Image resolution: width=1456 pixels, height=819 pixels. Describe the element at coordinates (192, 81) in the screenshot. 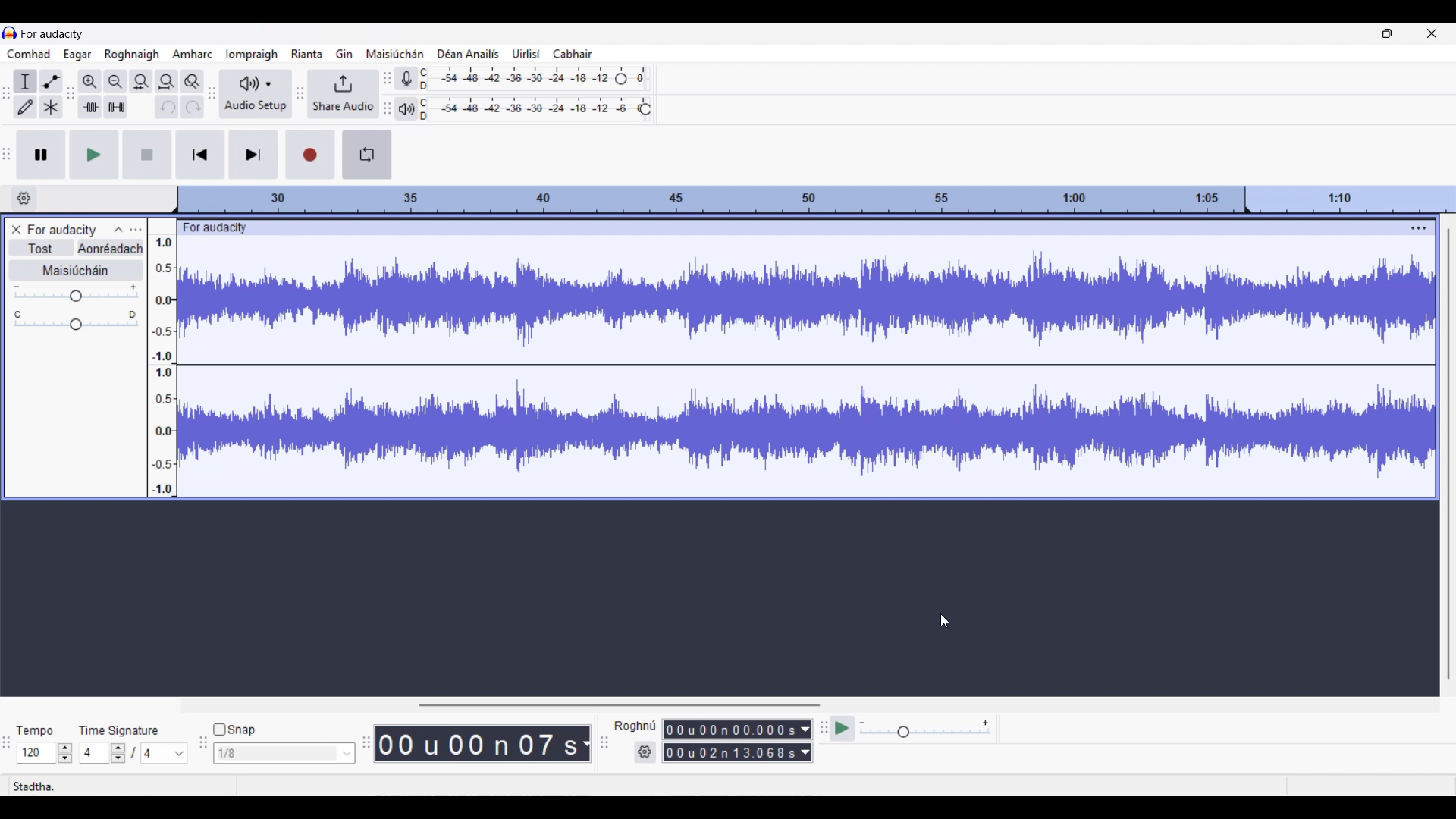

I see `Zoom toggle` at that location.